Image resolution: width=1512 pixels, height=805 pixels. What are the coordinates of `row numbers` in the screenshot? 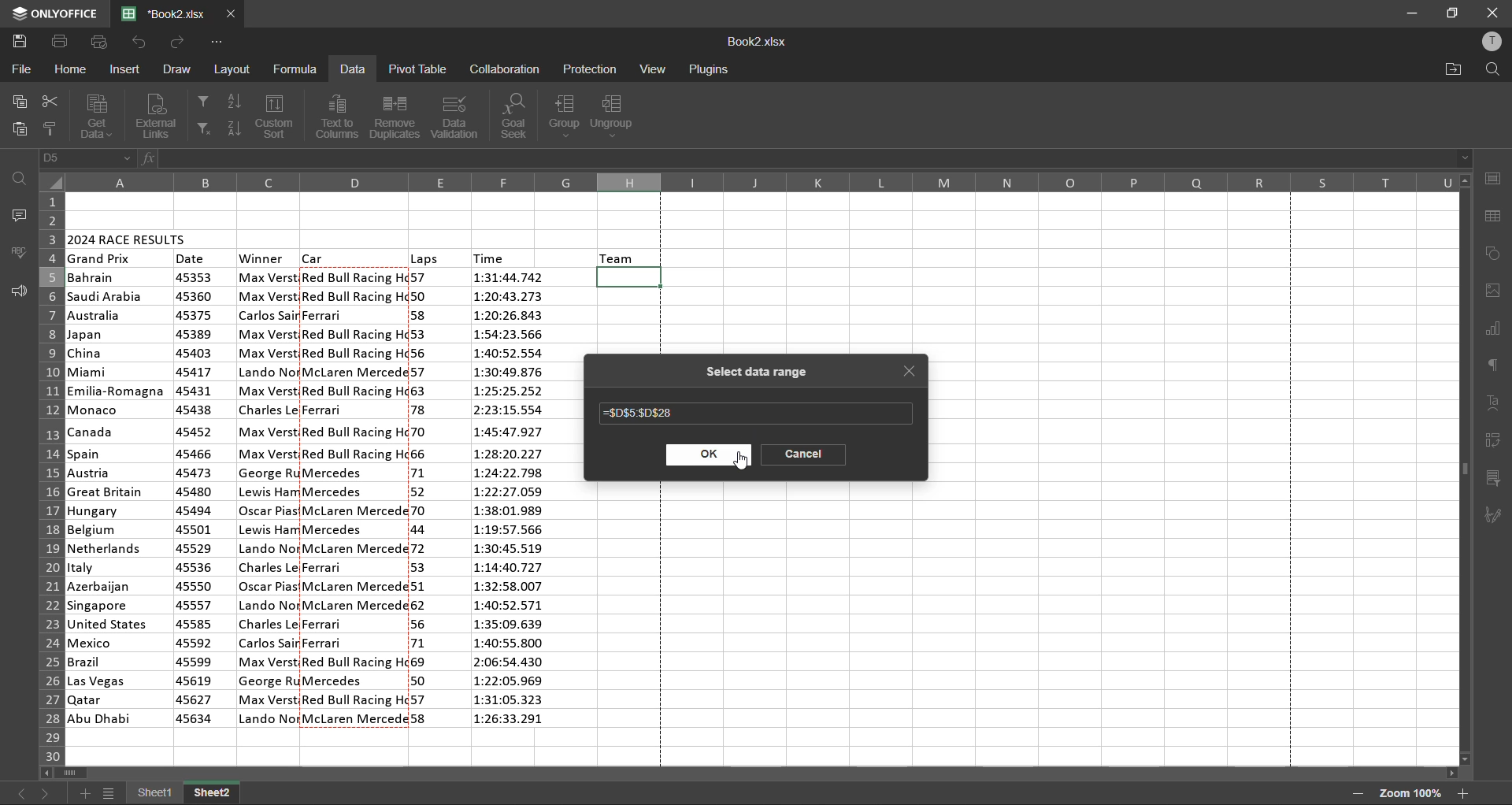 It's located at (48, 476).